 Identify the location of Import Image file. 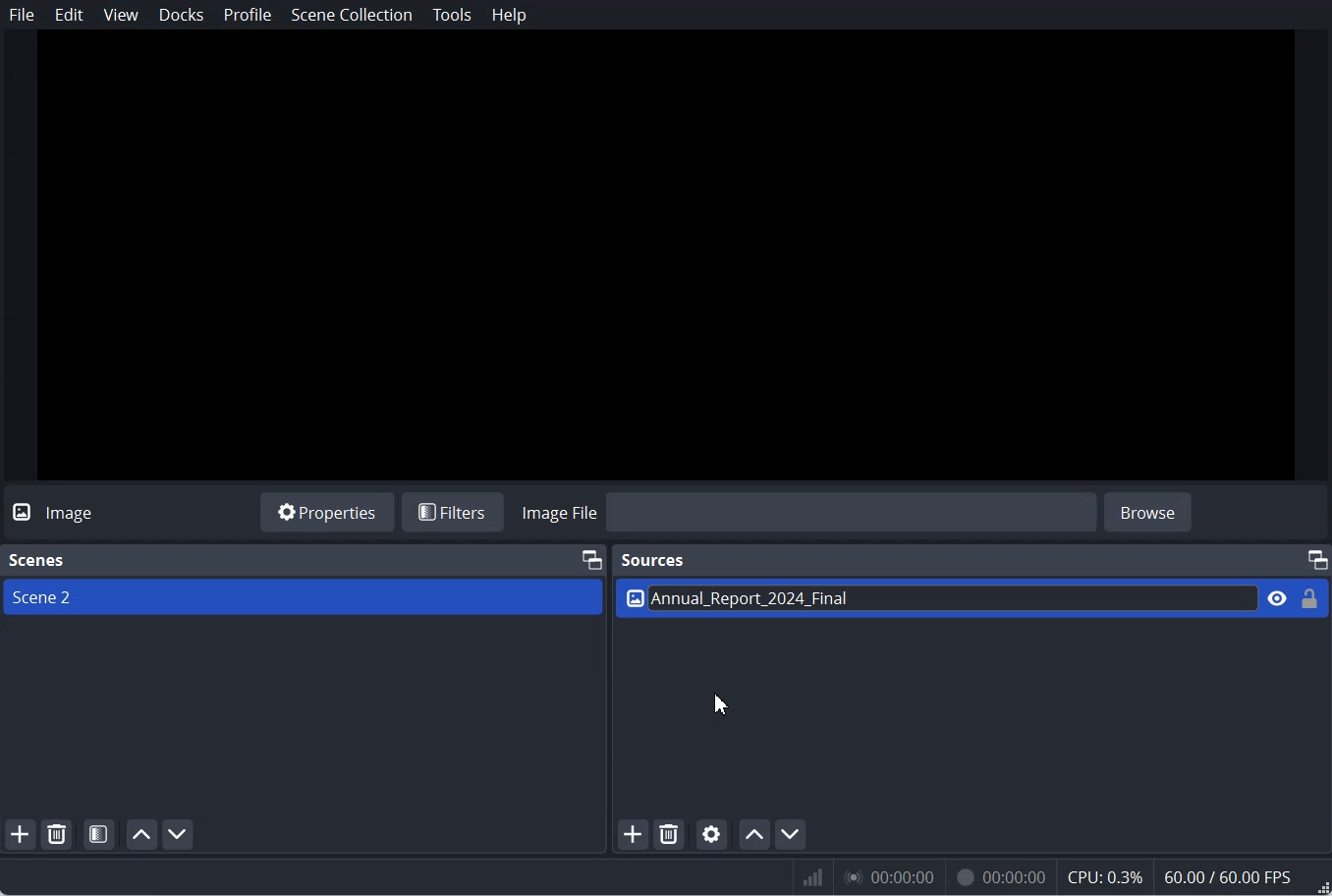
(803, 514).